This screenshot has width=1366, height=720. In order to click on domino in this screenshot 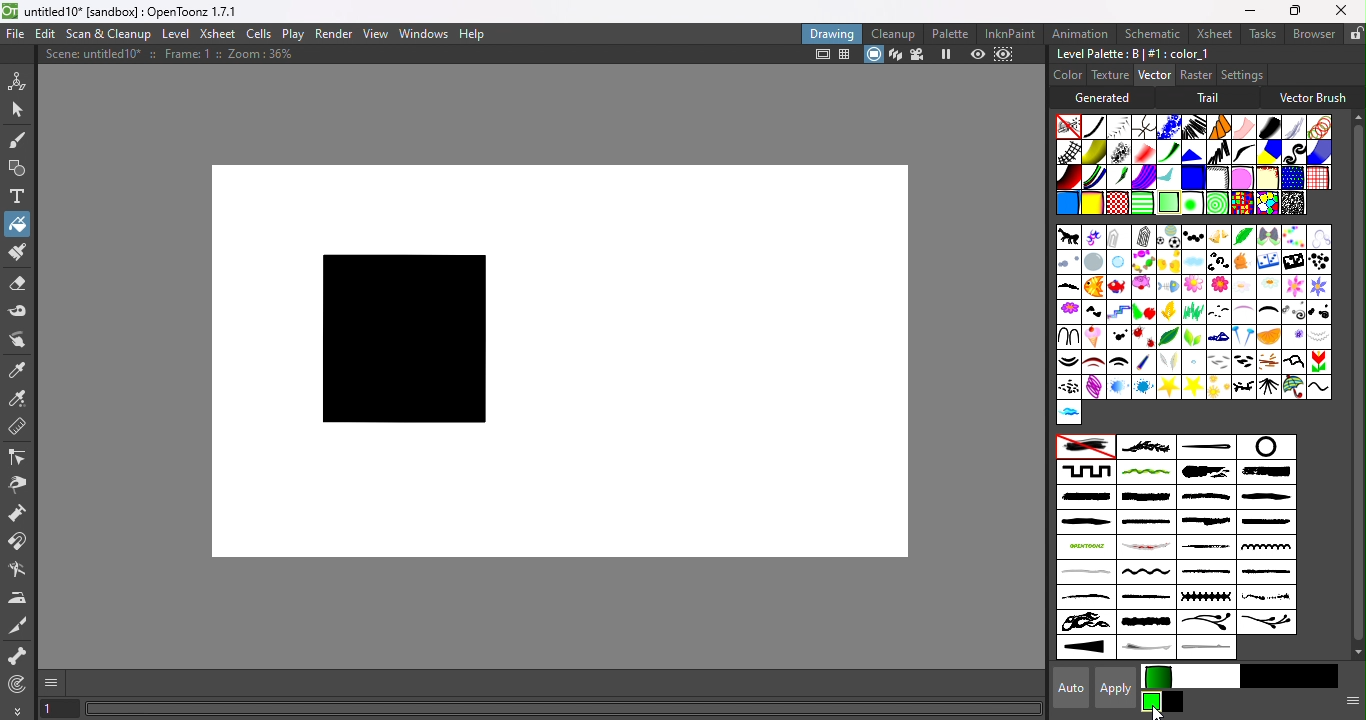, I will do `click(1268, 264)`.